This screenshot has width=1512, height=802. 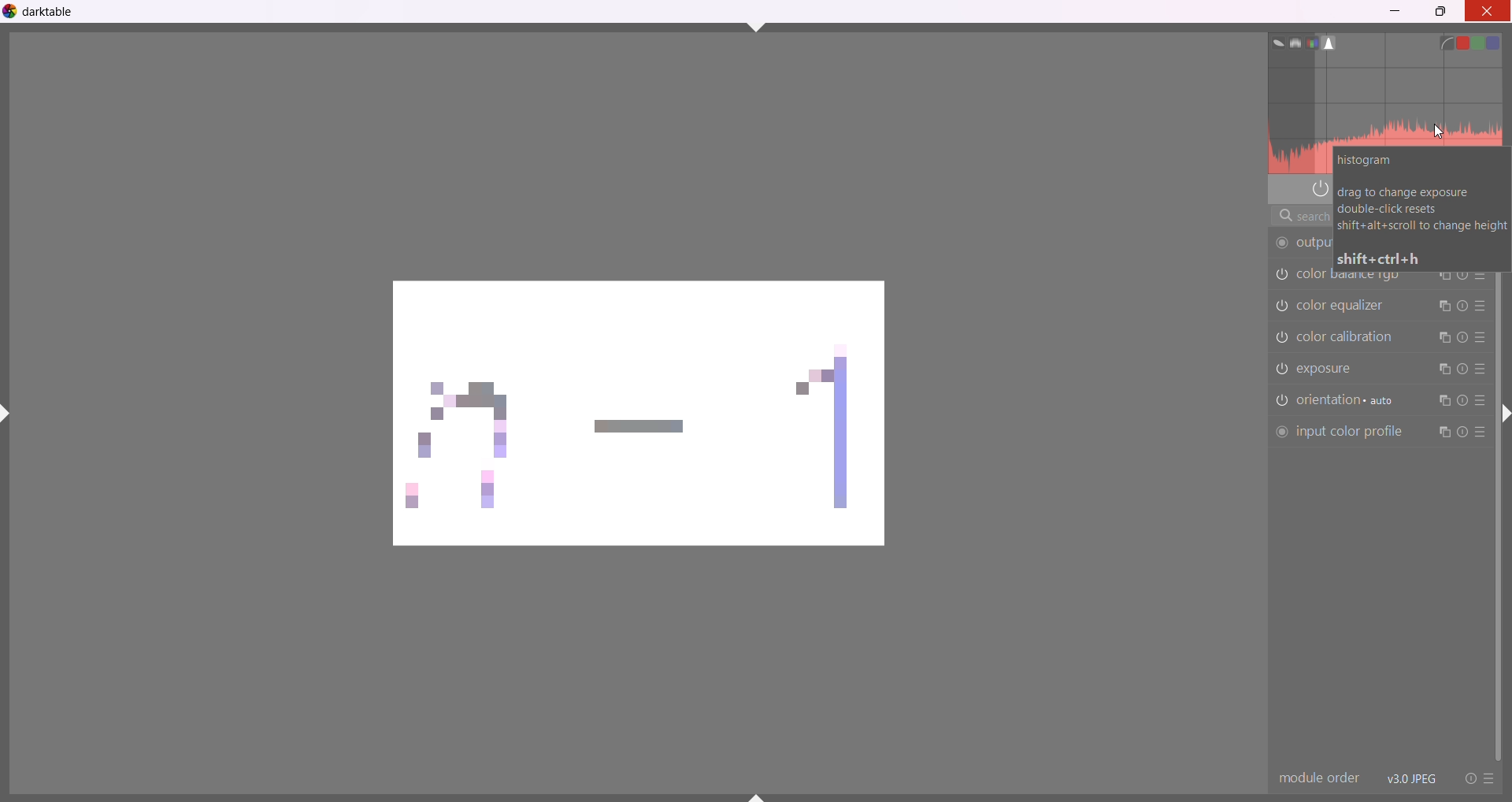 I want to click on reset parameters, so click(x=1462, y=369).